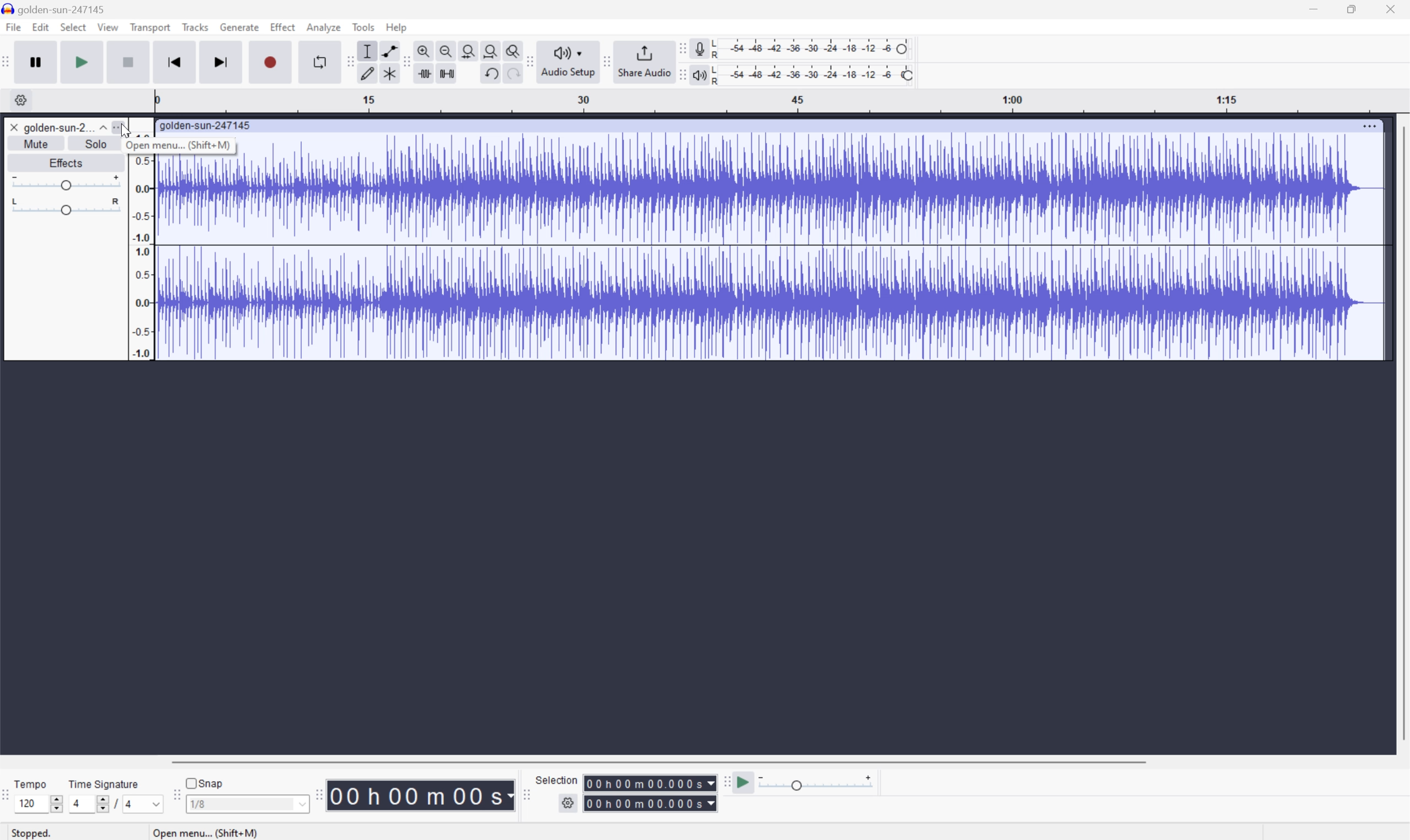  What do you see at coordinates (35, 144) in the screenshot?
I see `Mute` at bounding box center [35, 144].